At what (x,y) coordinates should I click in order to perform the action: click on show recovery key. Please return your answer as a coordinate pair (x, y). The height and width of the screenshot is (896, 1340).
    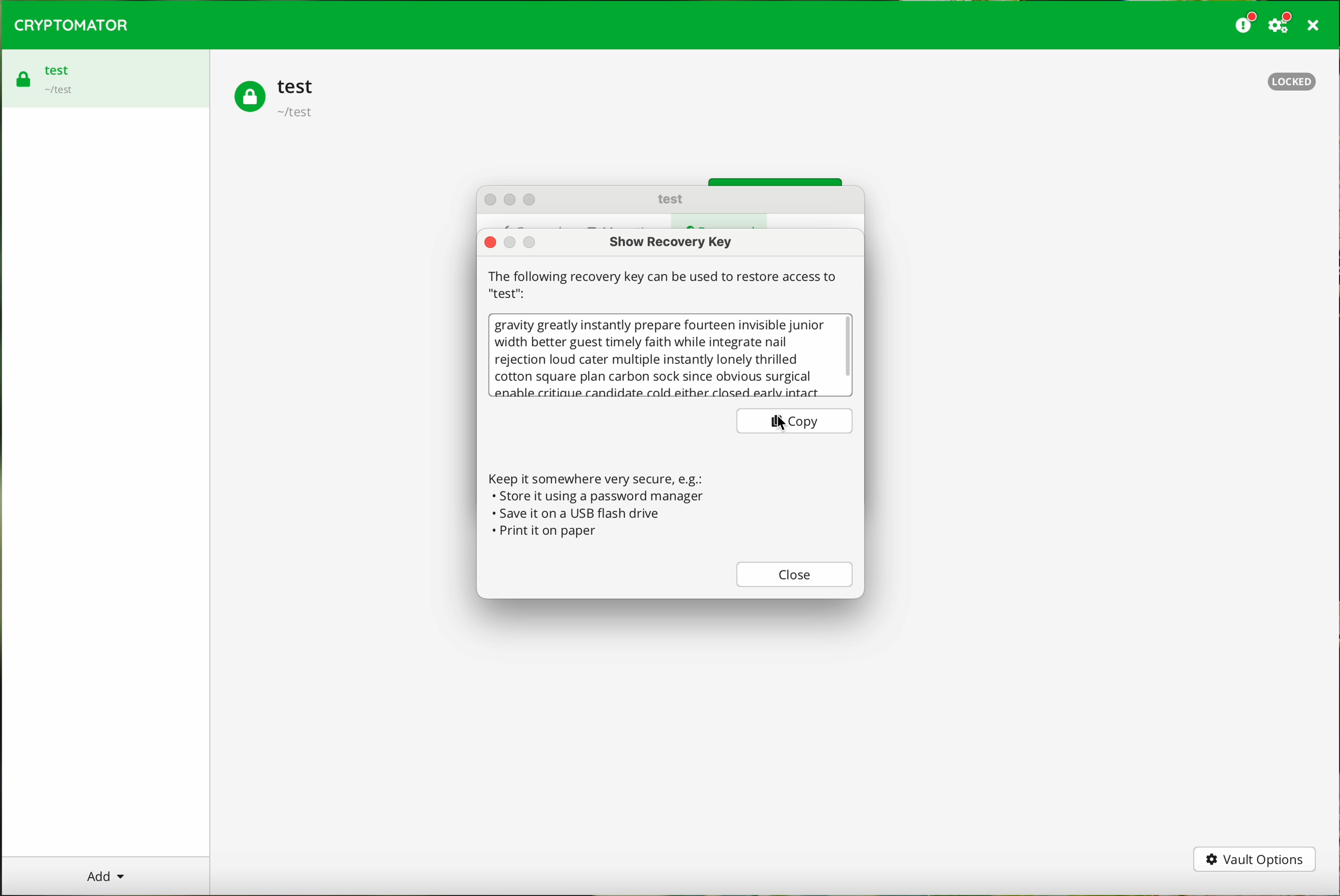
    Looking at the image, I should click on (675, 242).